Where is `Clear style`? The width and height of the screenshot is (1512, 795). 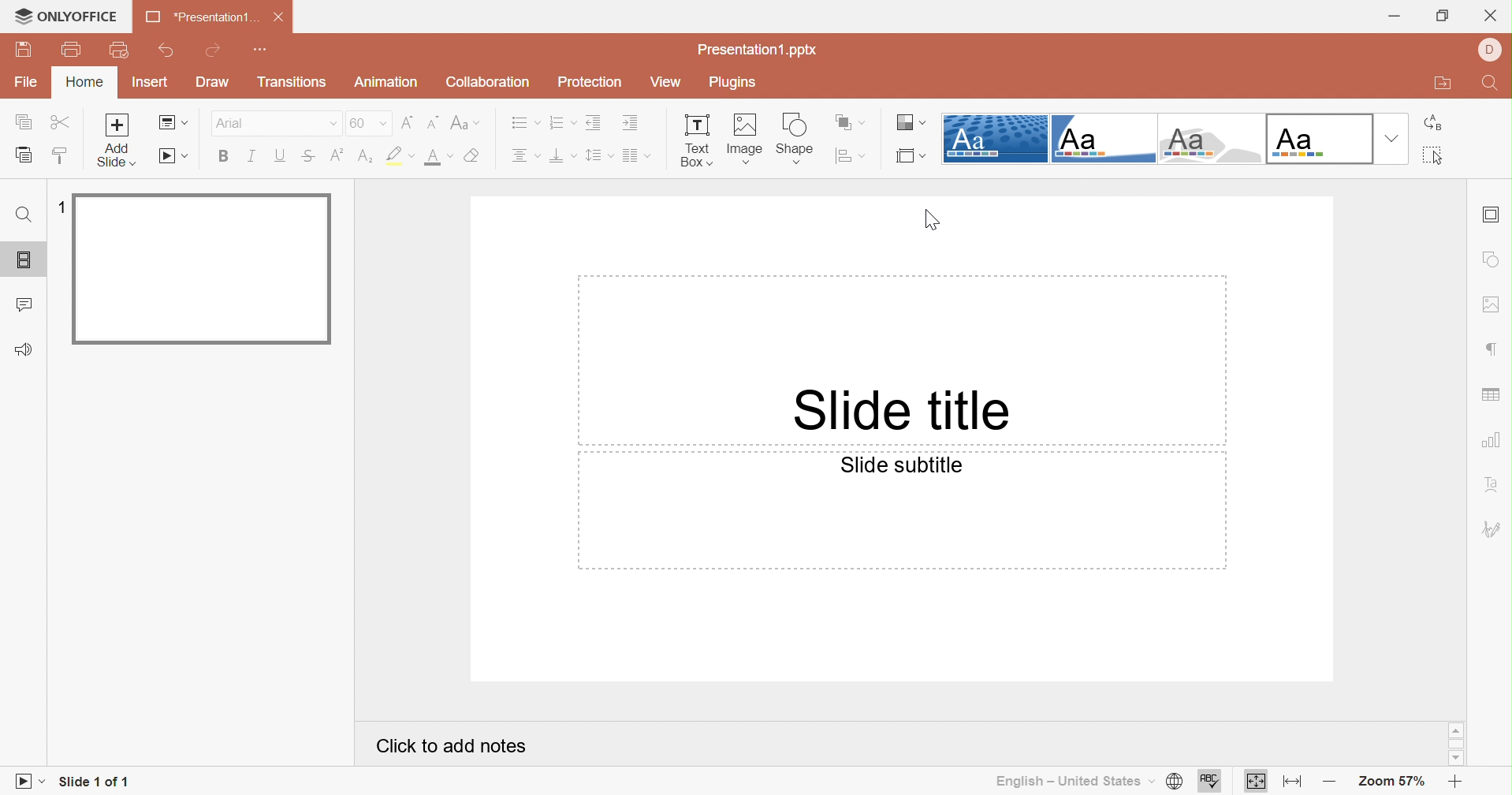 Clear style is located at coordinates (474, 154).